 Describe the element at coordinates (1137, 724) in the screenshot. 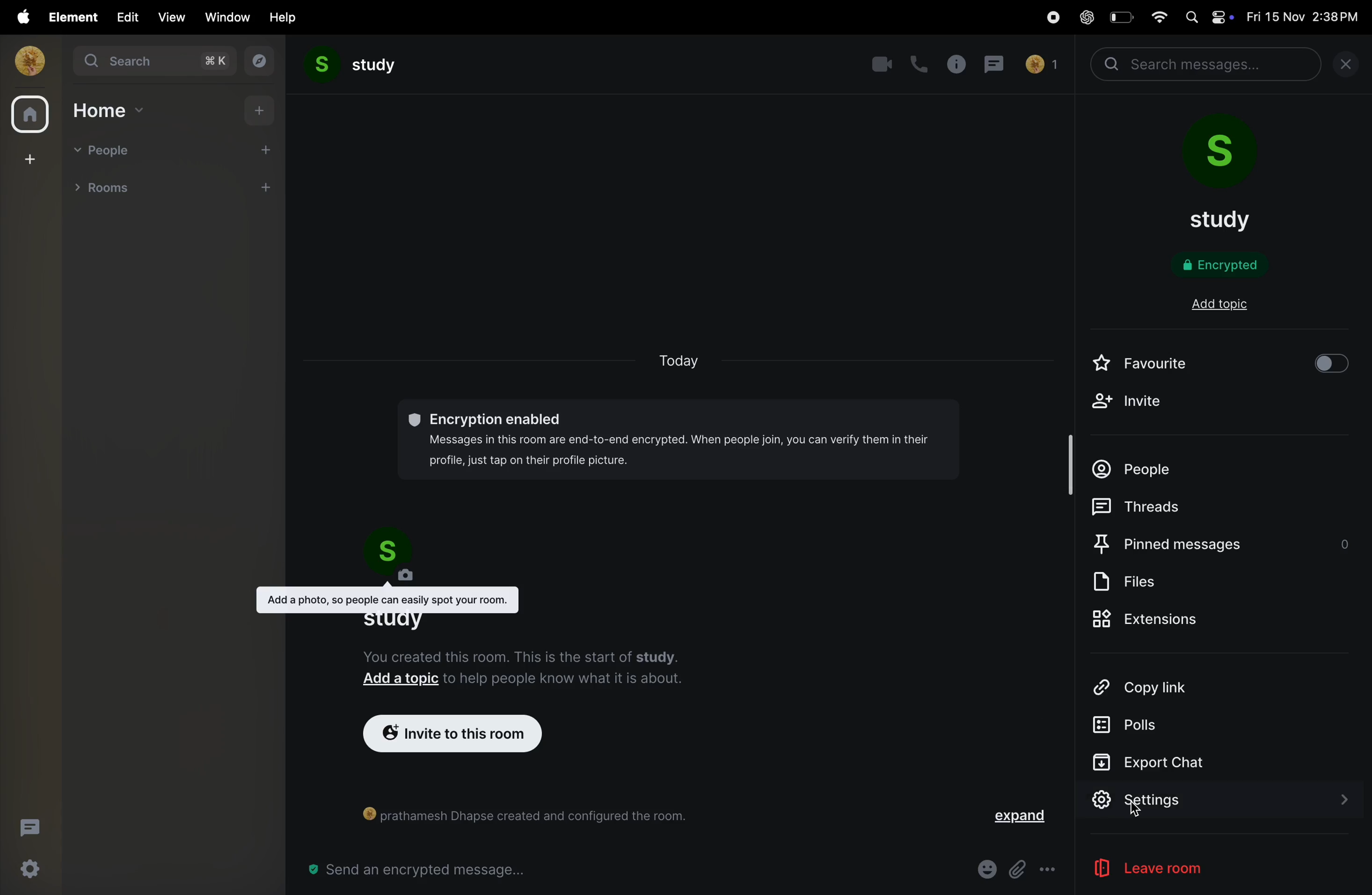

I see `polls` at that location.